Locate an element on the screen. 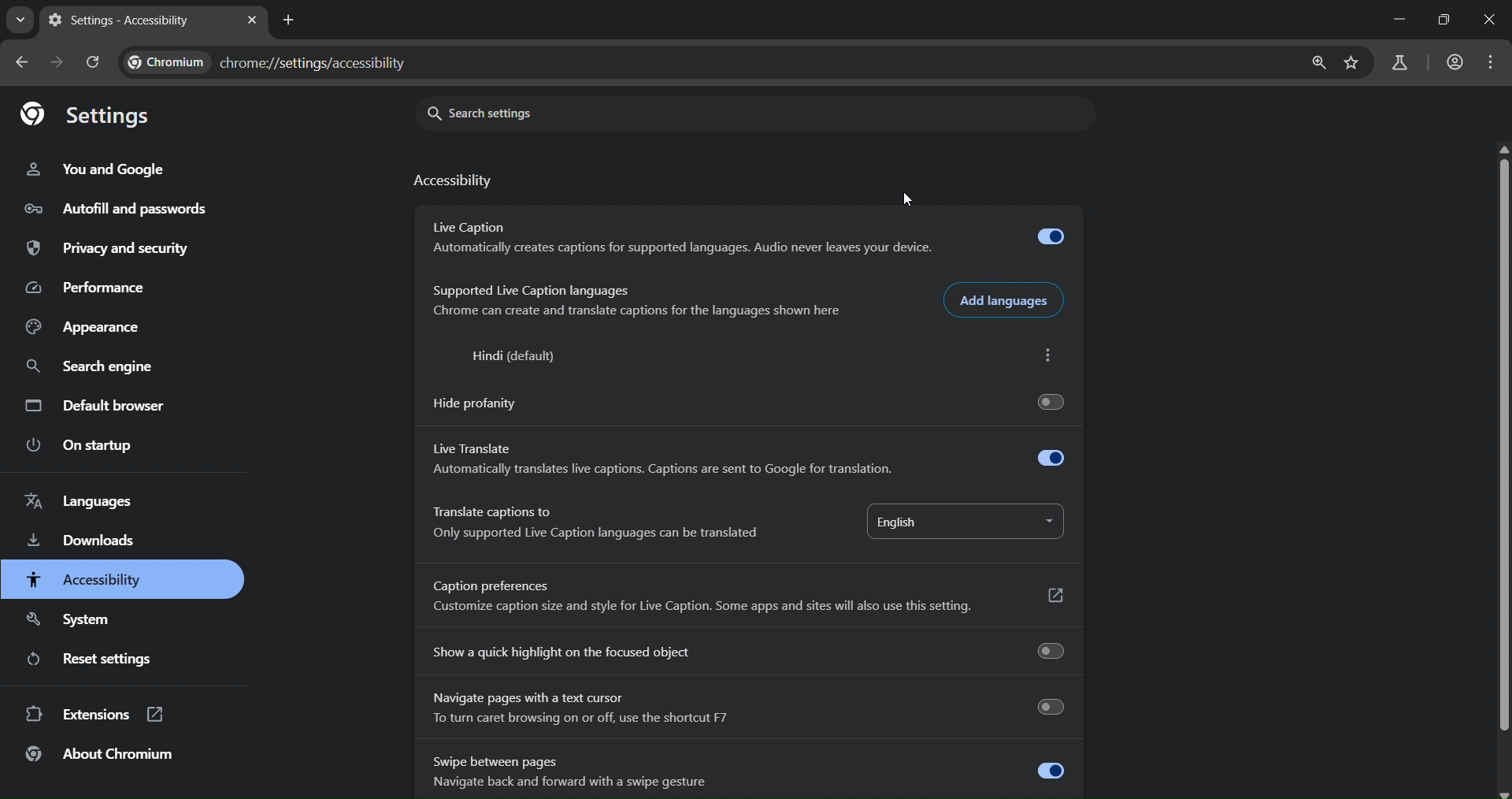  search labs is located at coordinates (1399, 65).